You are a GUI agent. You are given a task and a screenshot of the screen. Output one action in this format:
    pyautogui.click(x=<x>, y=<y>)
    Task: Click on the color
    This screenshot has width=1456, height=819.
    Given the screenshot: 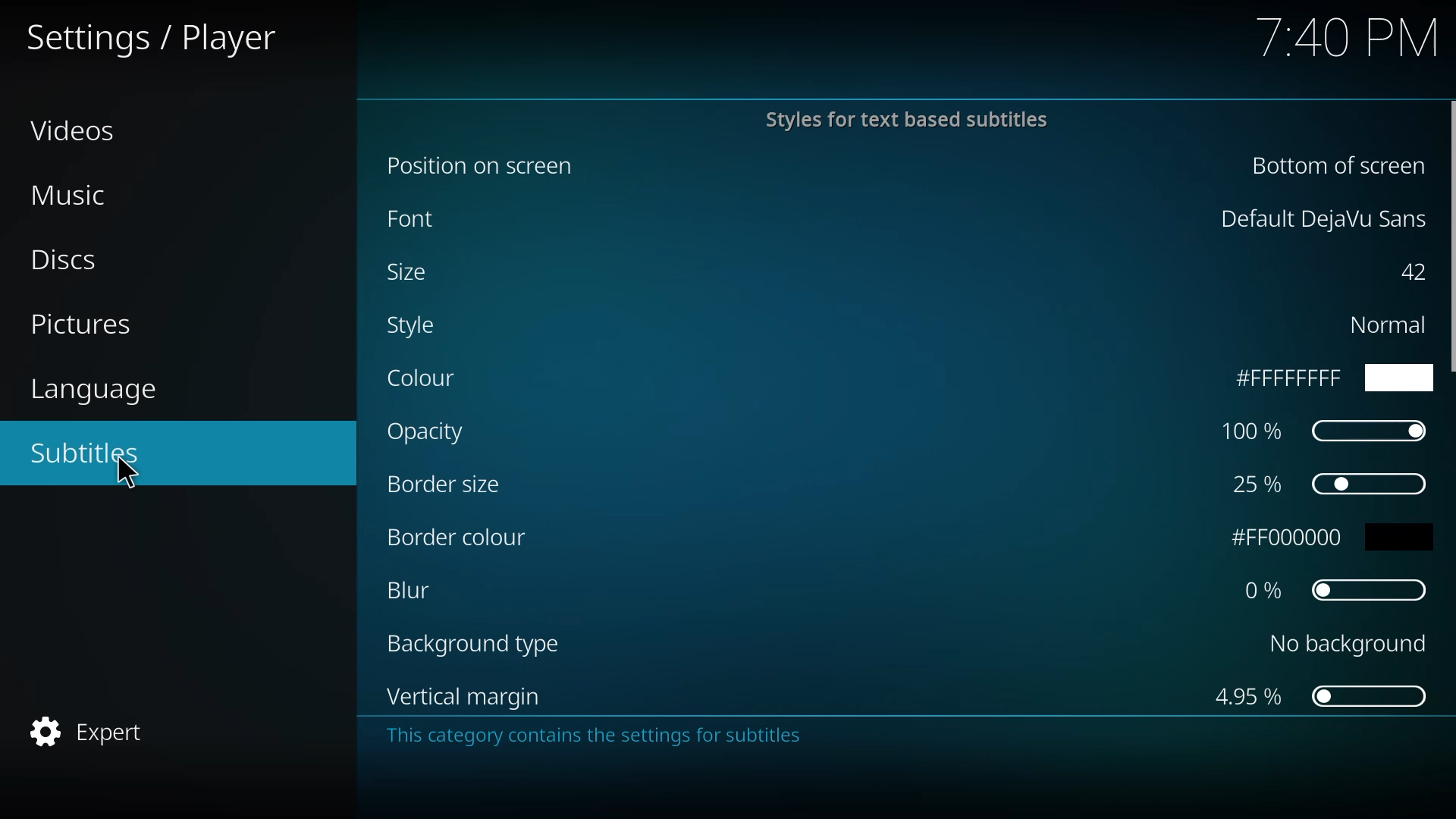 What is the action you would take?
    pyautogui.click(x=425, y=380)
    